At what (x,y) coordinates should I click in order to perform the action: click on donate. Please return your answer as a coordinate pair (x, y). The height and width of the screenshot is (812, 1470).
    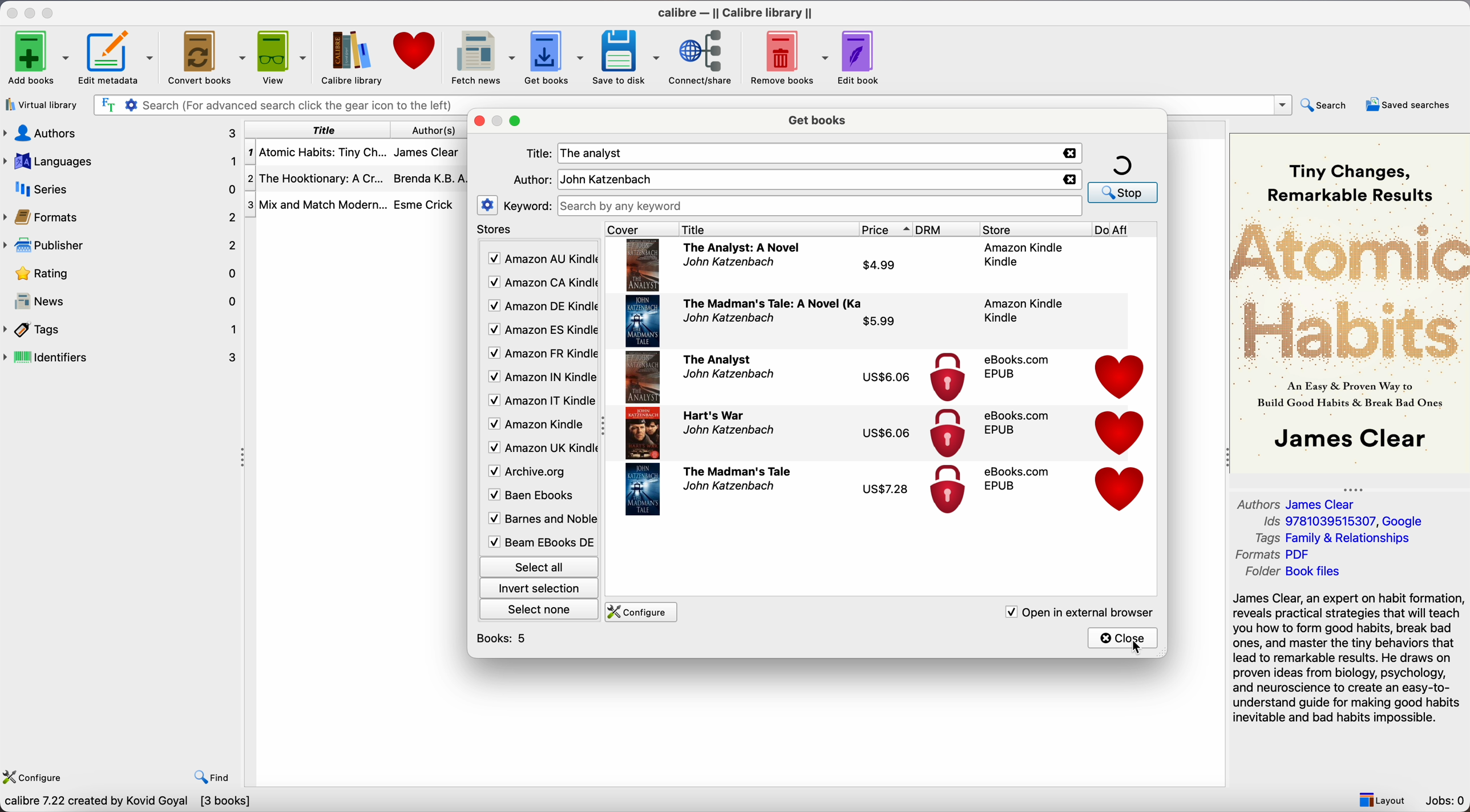
    Looking at the image, I should click on (1121, 432).